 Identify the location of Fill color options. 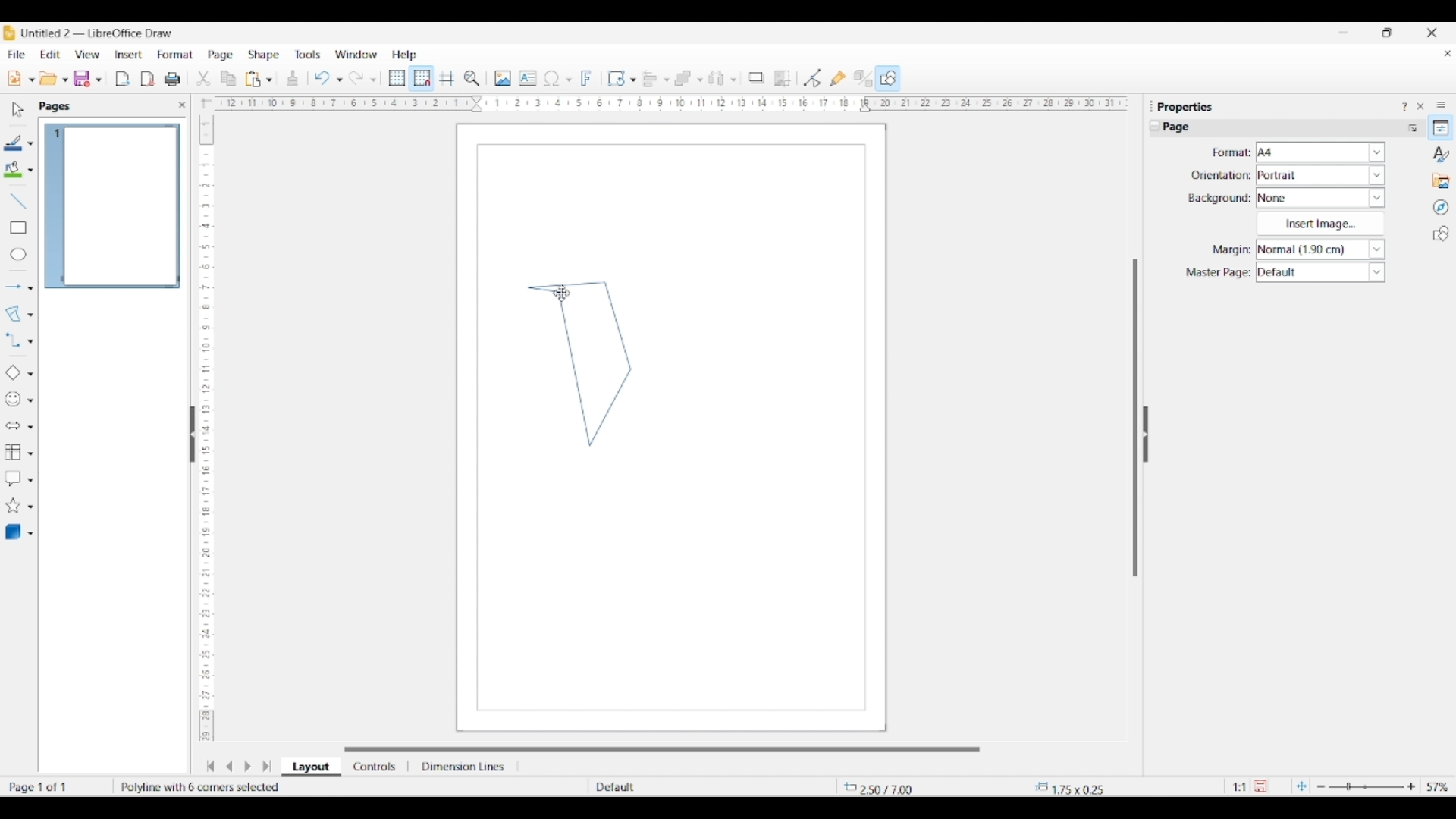
(30, 171).